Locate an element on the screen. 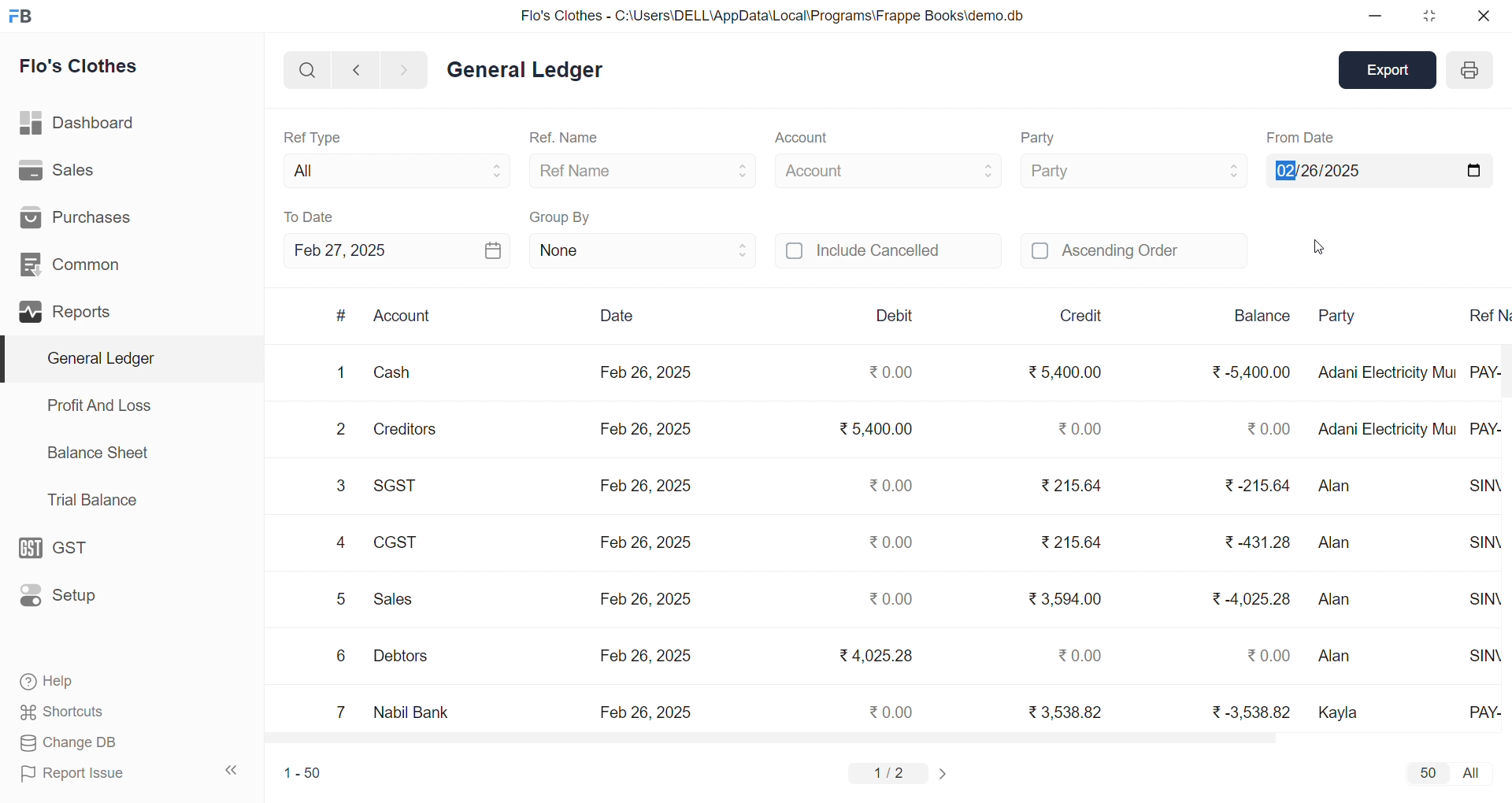 This screenshot has width=1512, height=803. # is located at coordinates (341, 316).